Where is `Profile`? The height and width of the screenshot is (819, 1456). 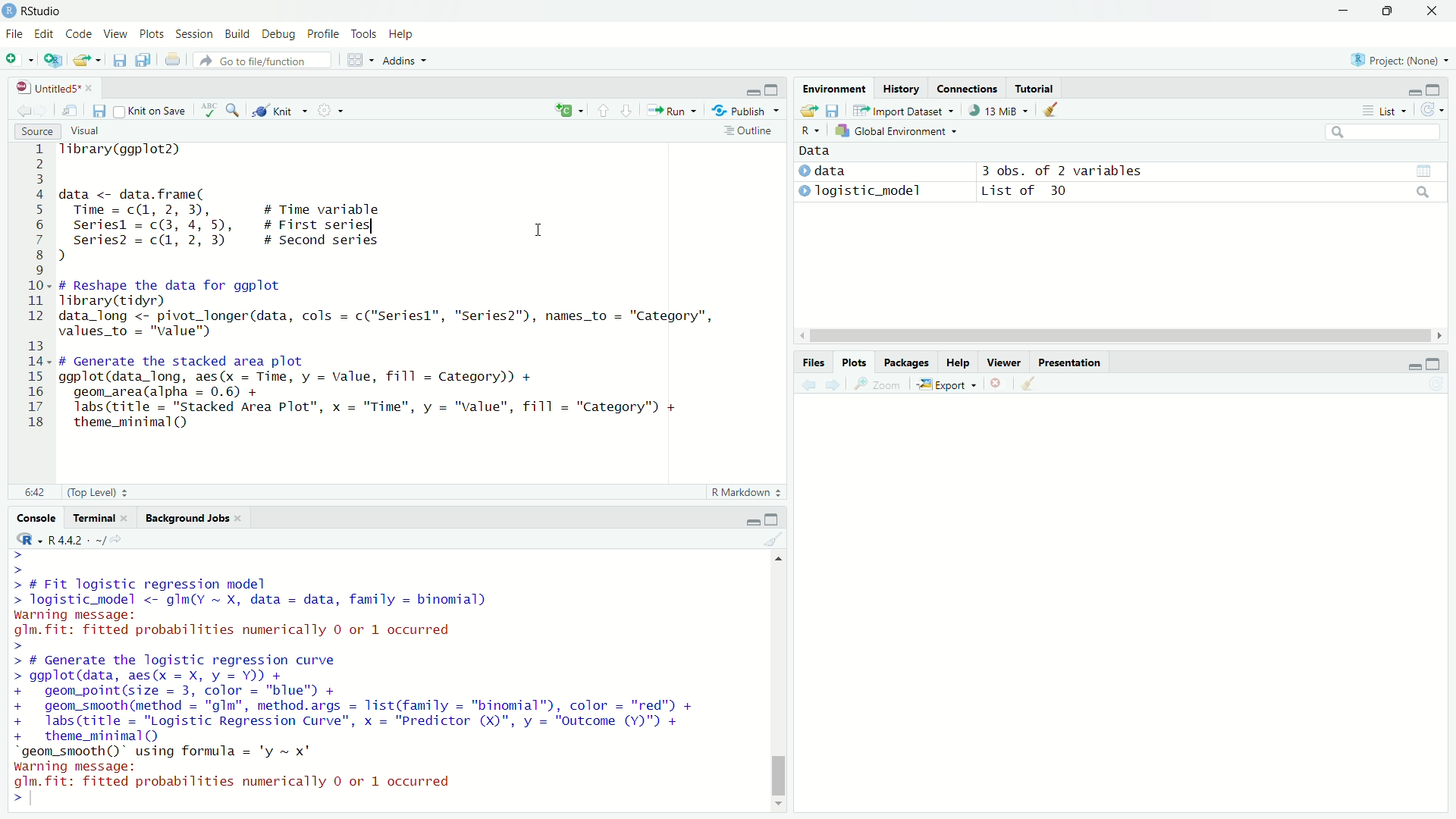 Profile is located at coordinates (320, 33).